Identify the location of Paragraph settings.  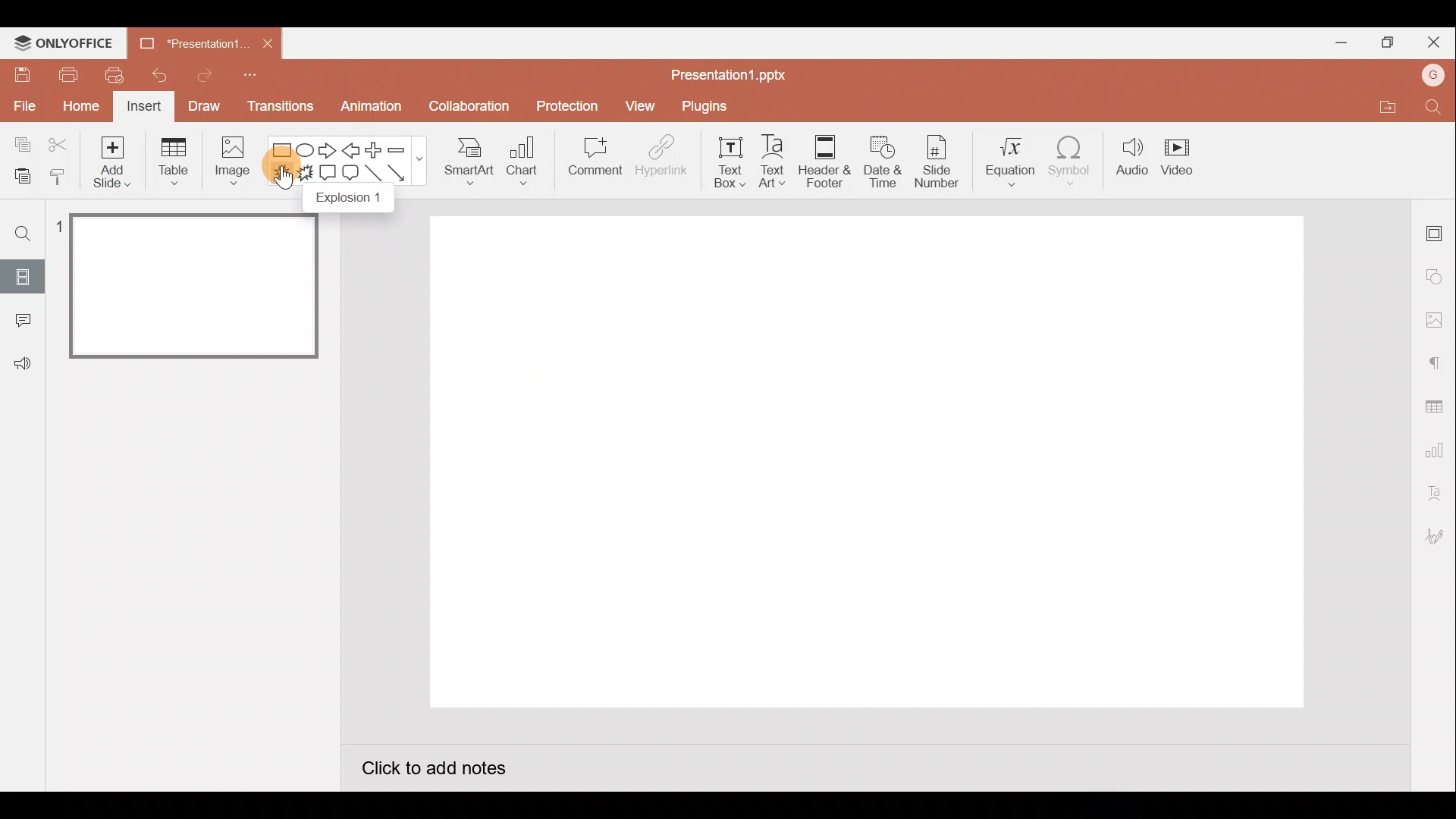
(1436, 359).